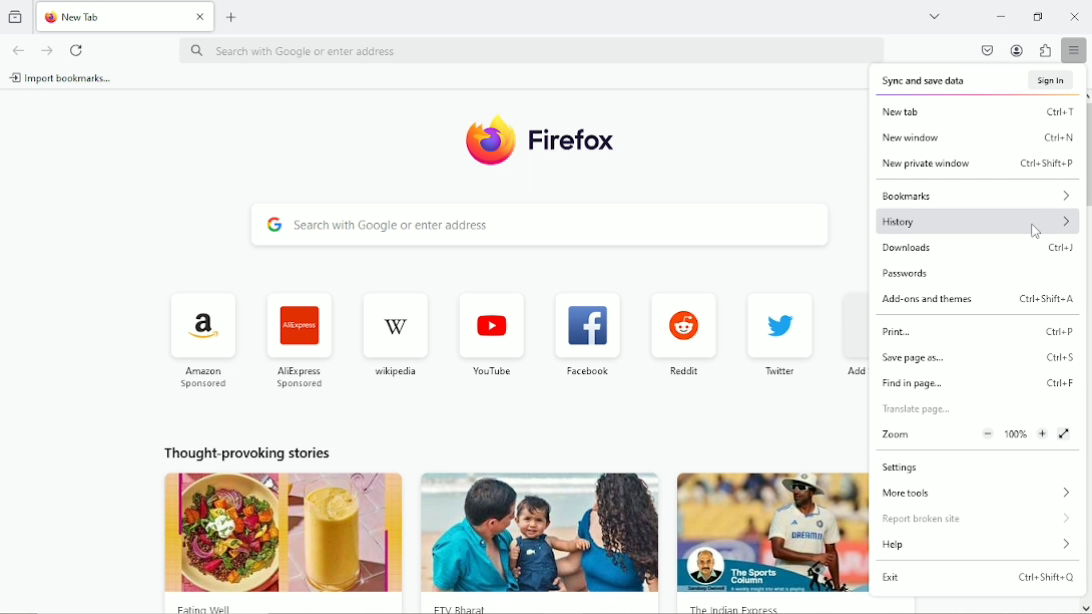 This screenshot has width=1092, height=614. What do you see at coordinates (975, 198) in the screenshot?
I see `bookmarks` at bounding box center [975, 198].